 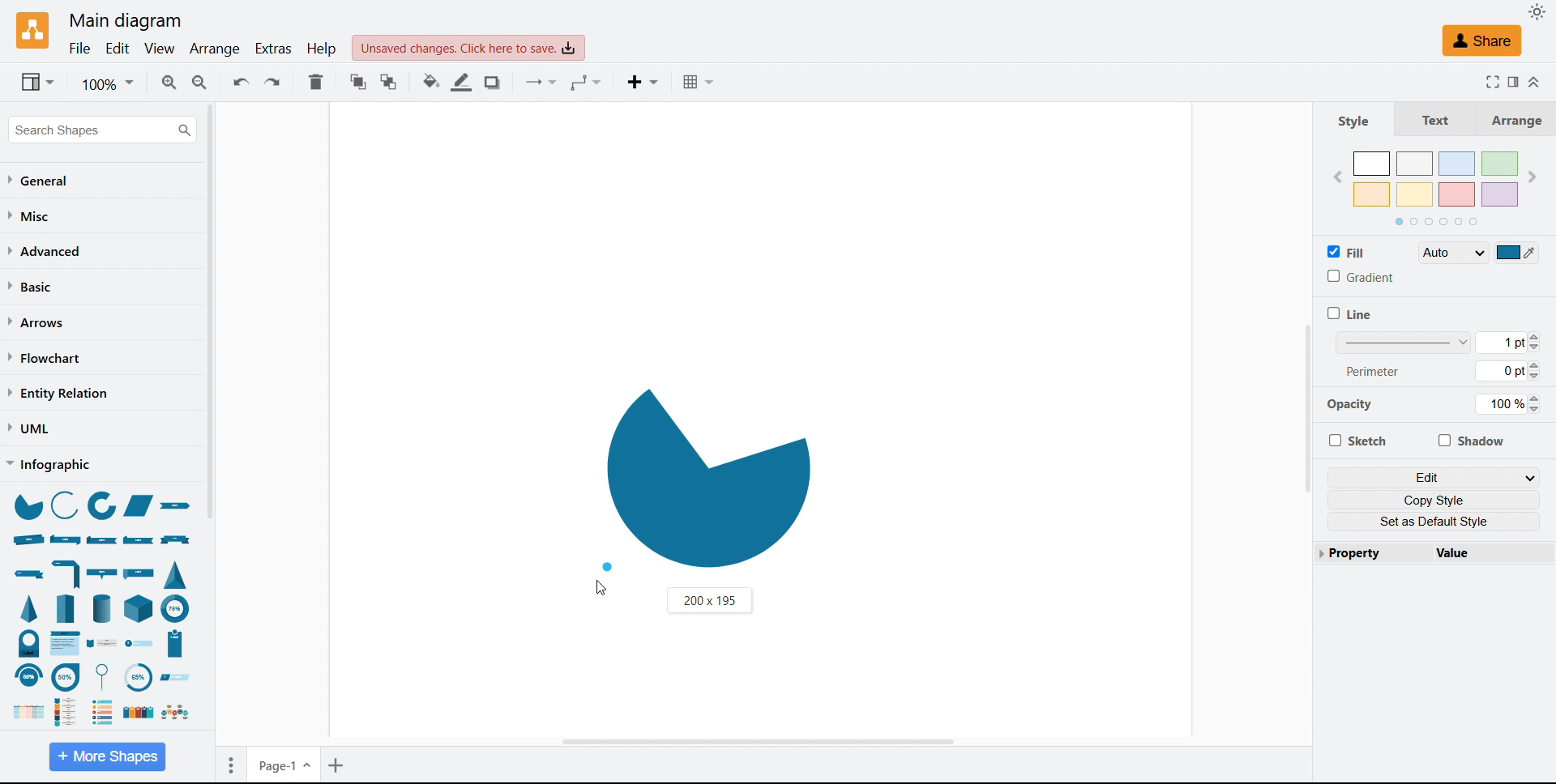 What do you see at coordinates (101, 573) in the screenshot?
I see `bar with callout` at bounding box center [101, 573].